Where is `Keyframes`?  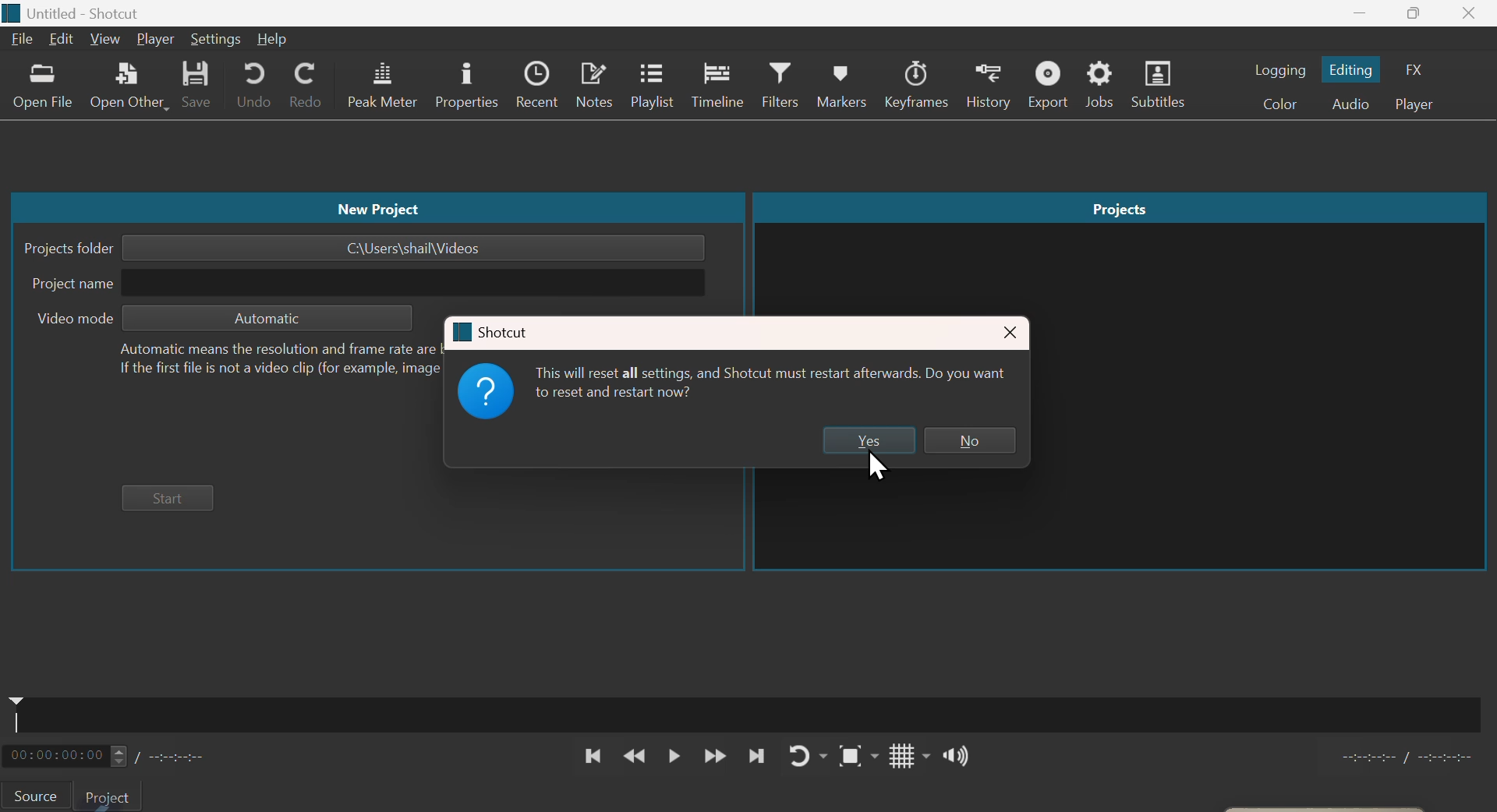 Keyframes is located at coordinates (918, 85).